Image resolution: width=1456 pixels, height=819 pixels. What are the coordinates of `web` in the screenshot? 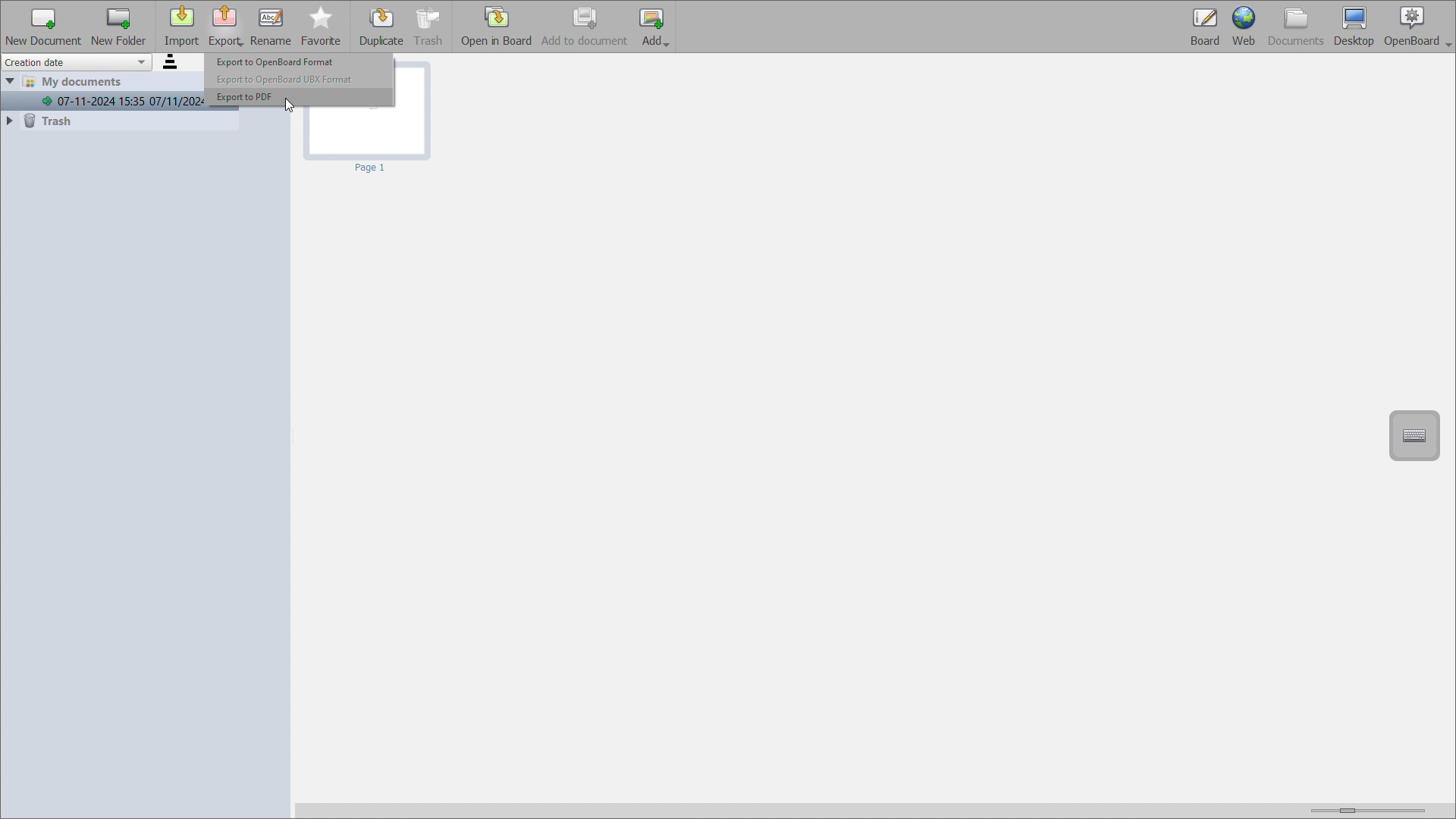 It's located at (1244, 27).